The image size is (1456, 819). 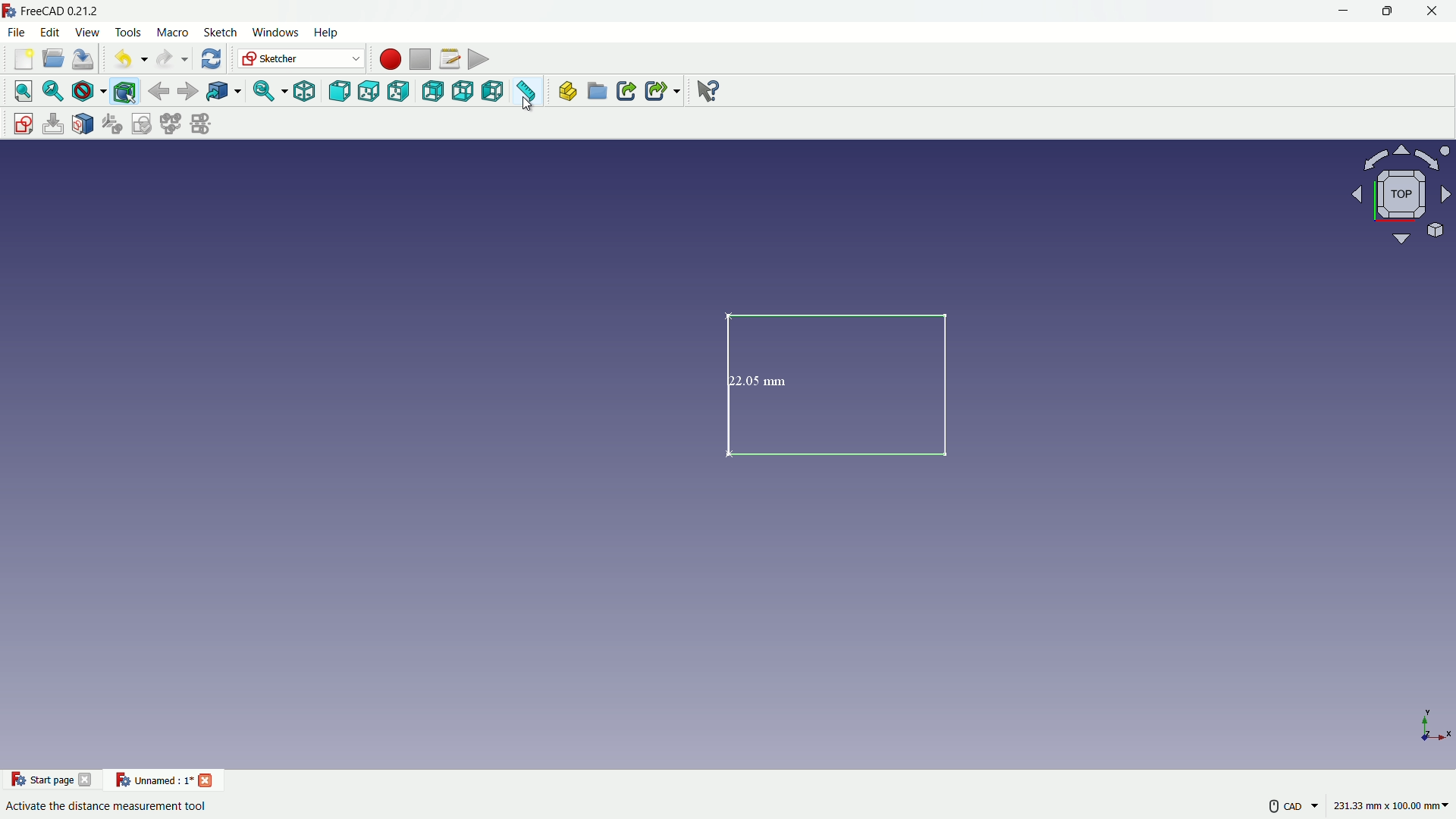 What do you see at coordinates (564, 93) in the screenshot?
I see `create part` at bounding box center [564, 93].